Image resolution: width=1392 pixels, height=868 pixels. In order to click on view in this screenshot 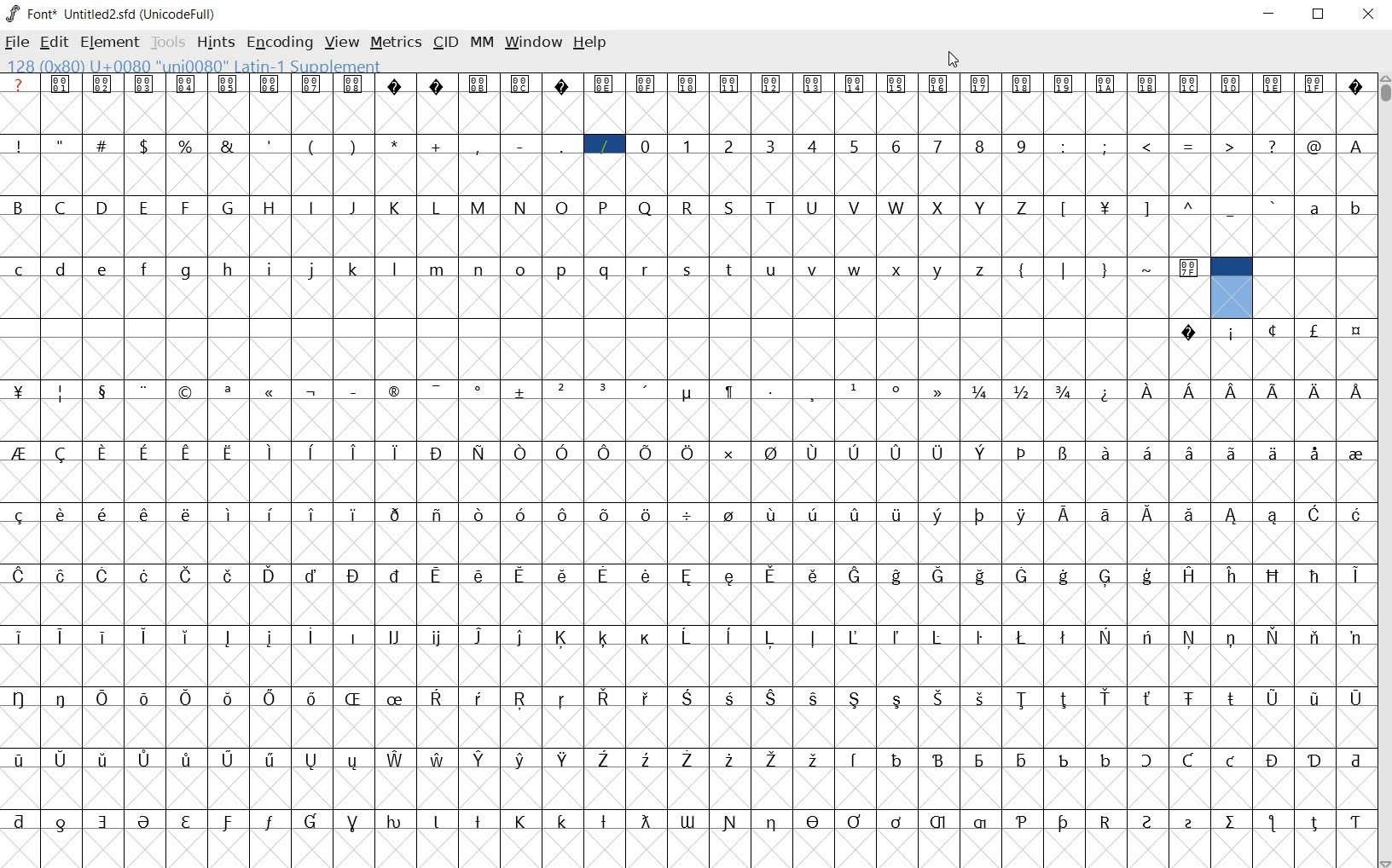, I will do `click(342, 42)`.